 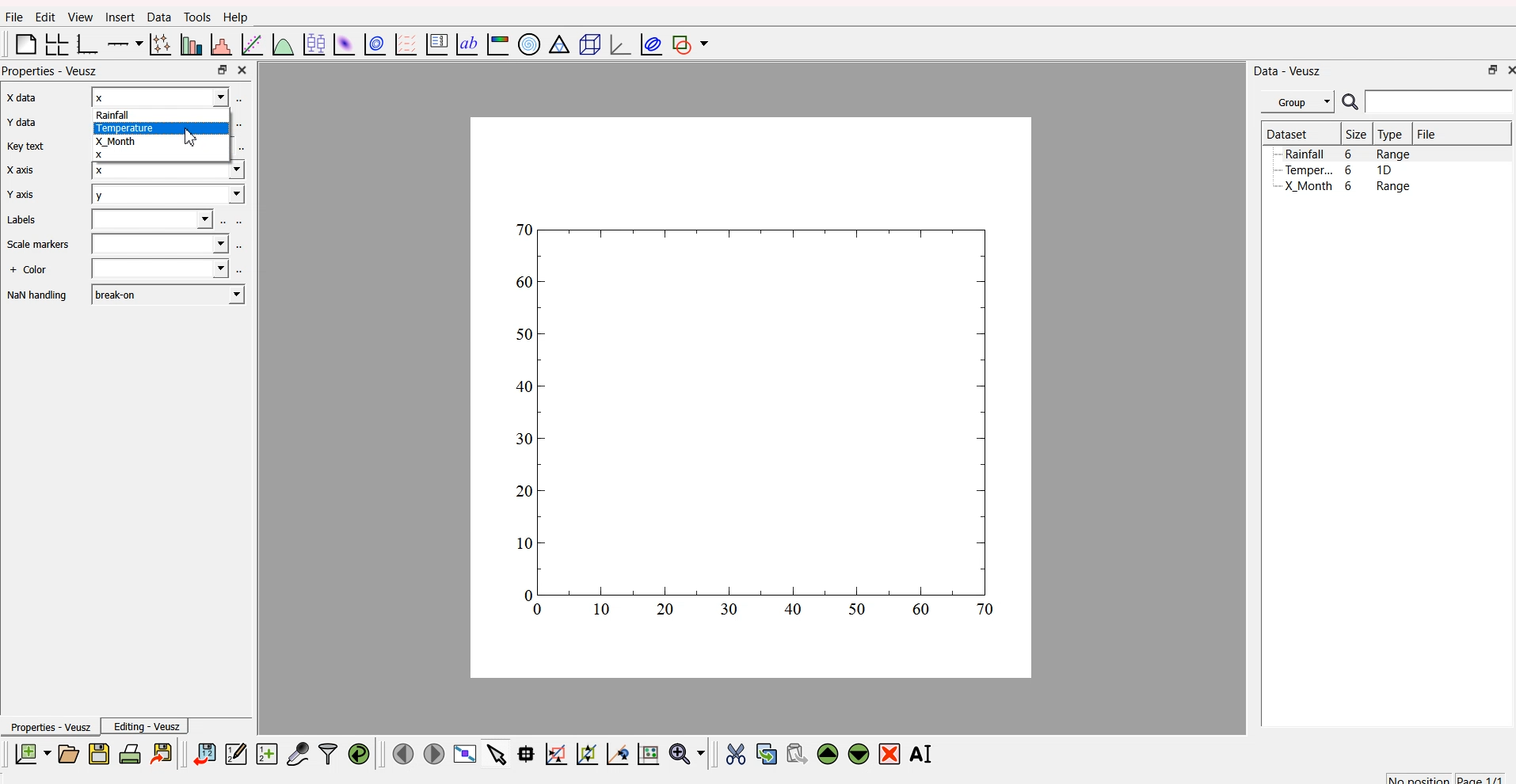 I want to click on blank page, so click(x=22, y=47).